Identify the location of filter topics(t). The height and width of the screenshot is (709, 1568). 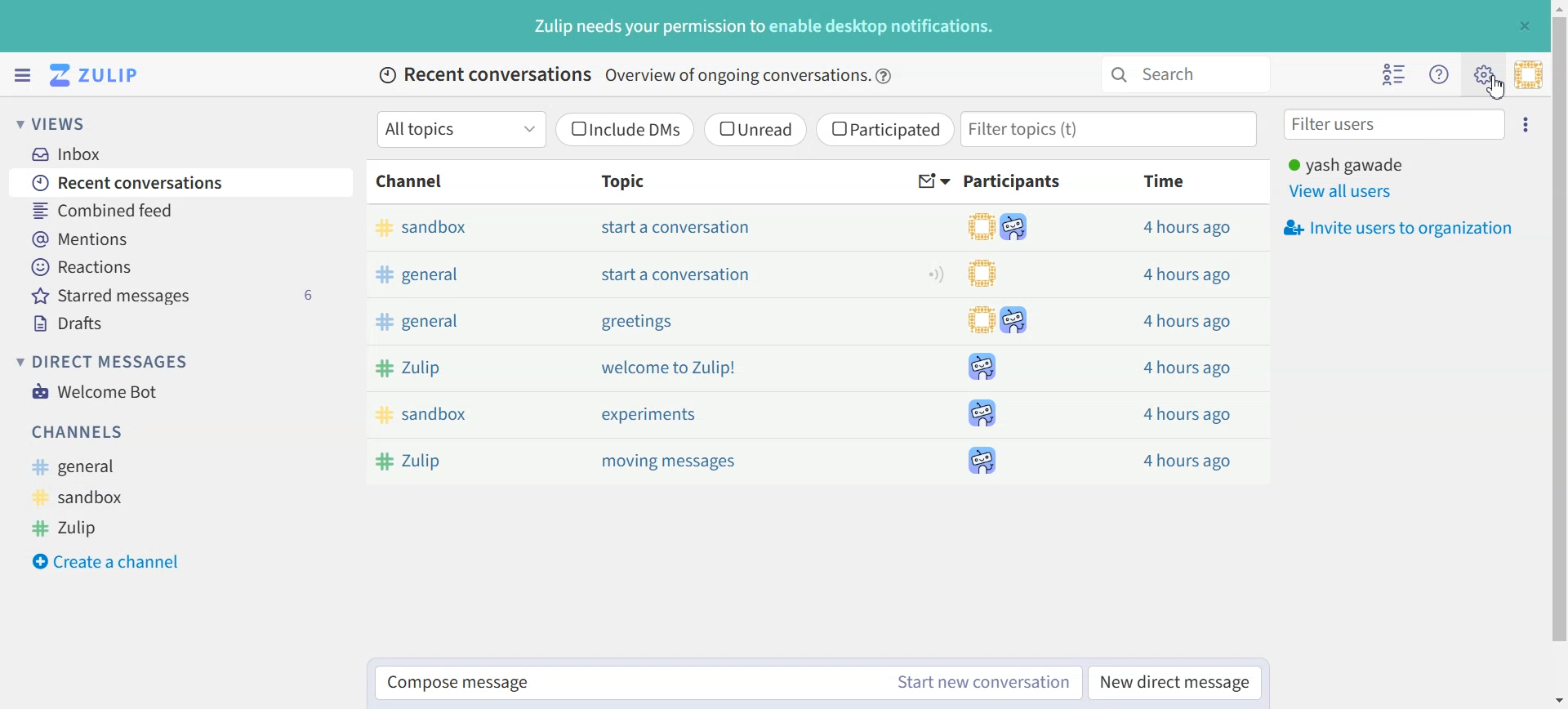
(1111, 129).